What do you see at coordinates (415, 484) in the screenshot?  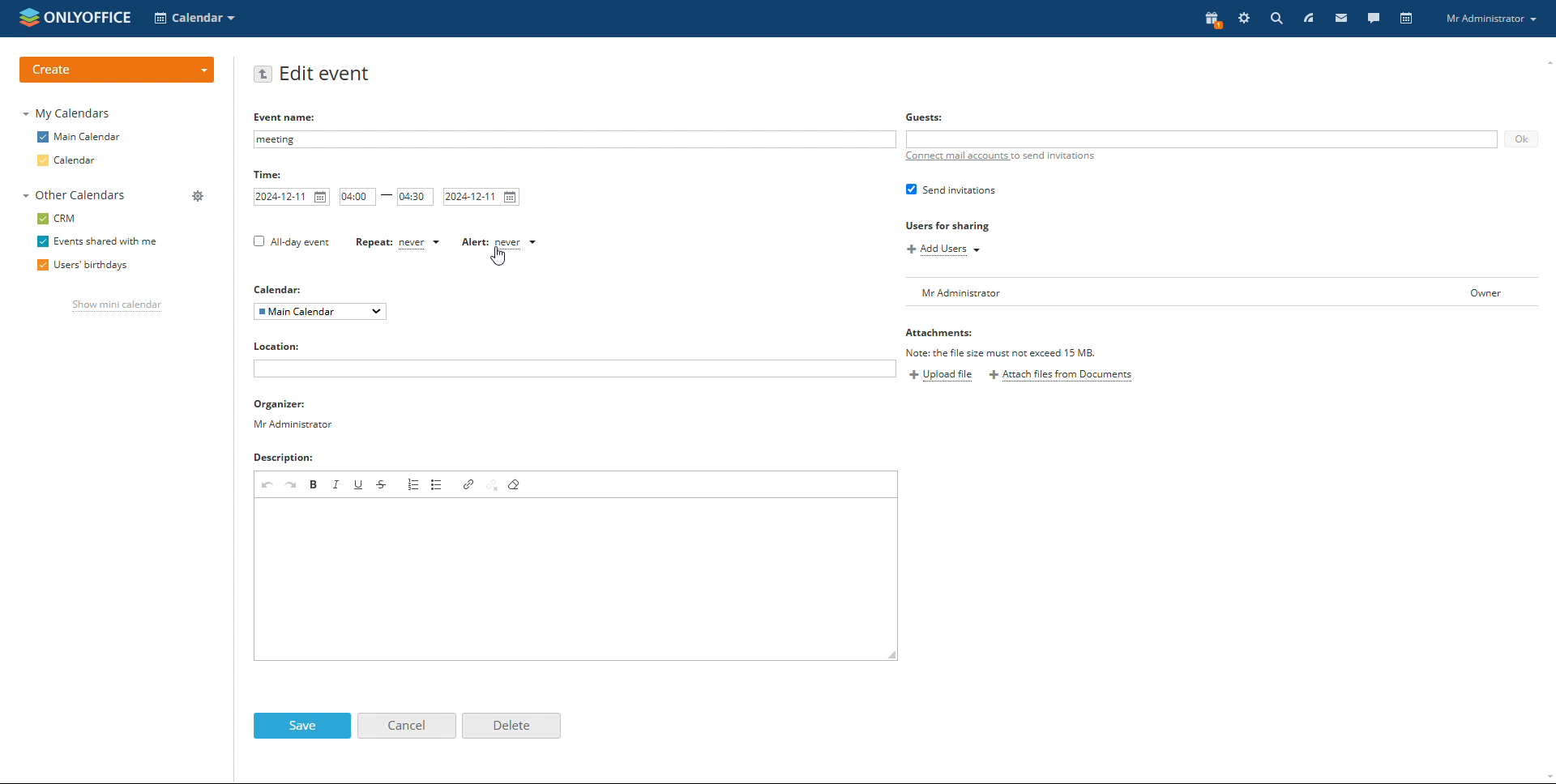 I see `insert/remove numbered list` at bounding box center [415, 484].